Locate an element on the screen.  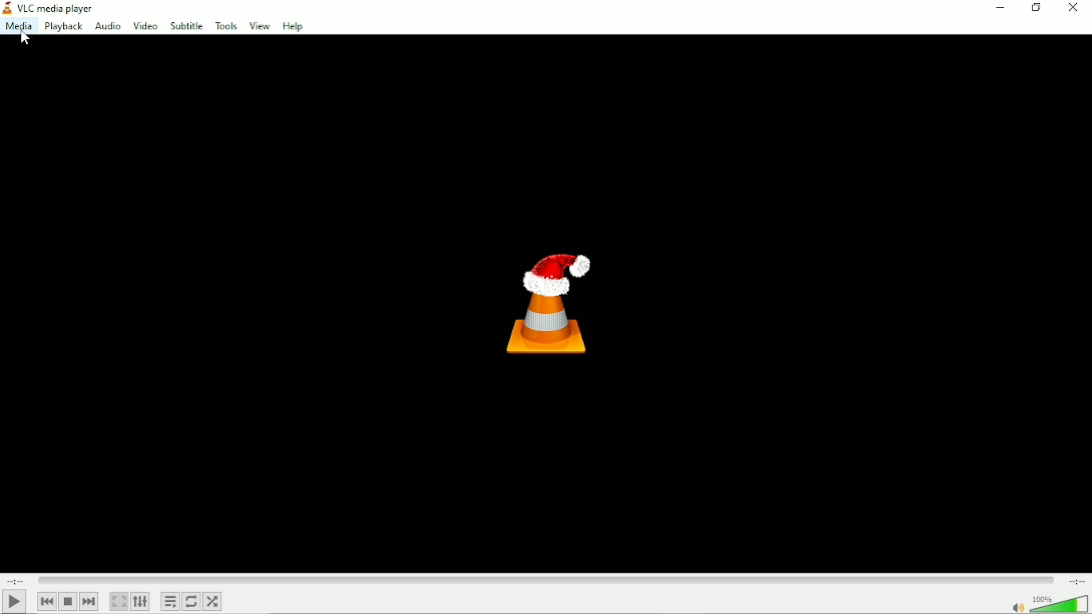
Restore down is located at coordinates (1035, 7).